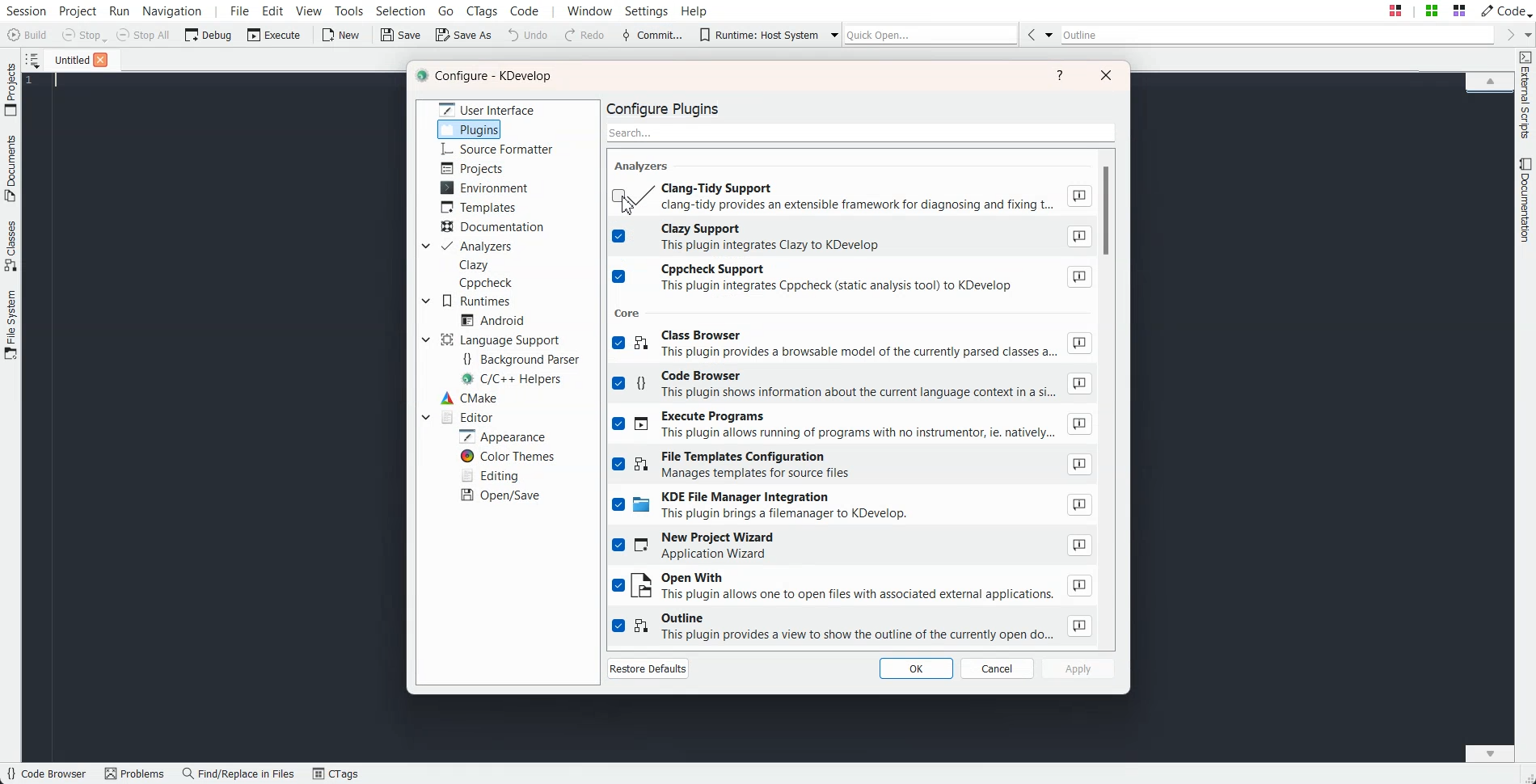 Image resolution: width=1536 pixels, height=784 pixels. I want to click on Save As, so click(463, 34).